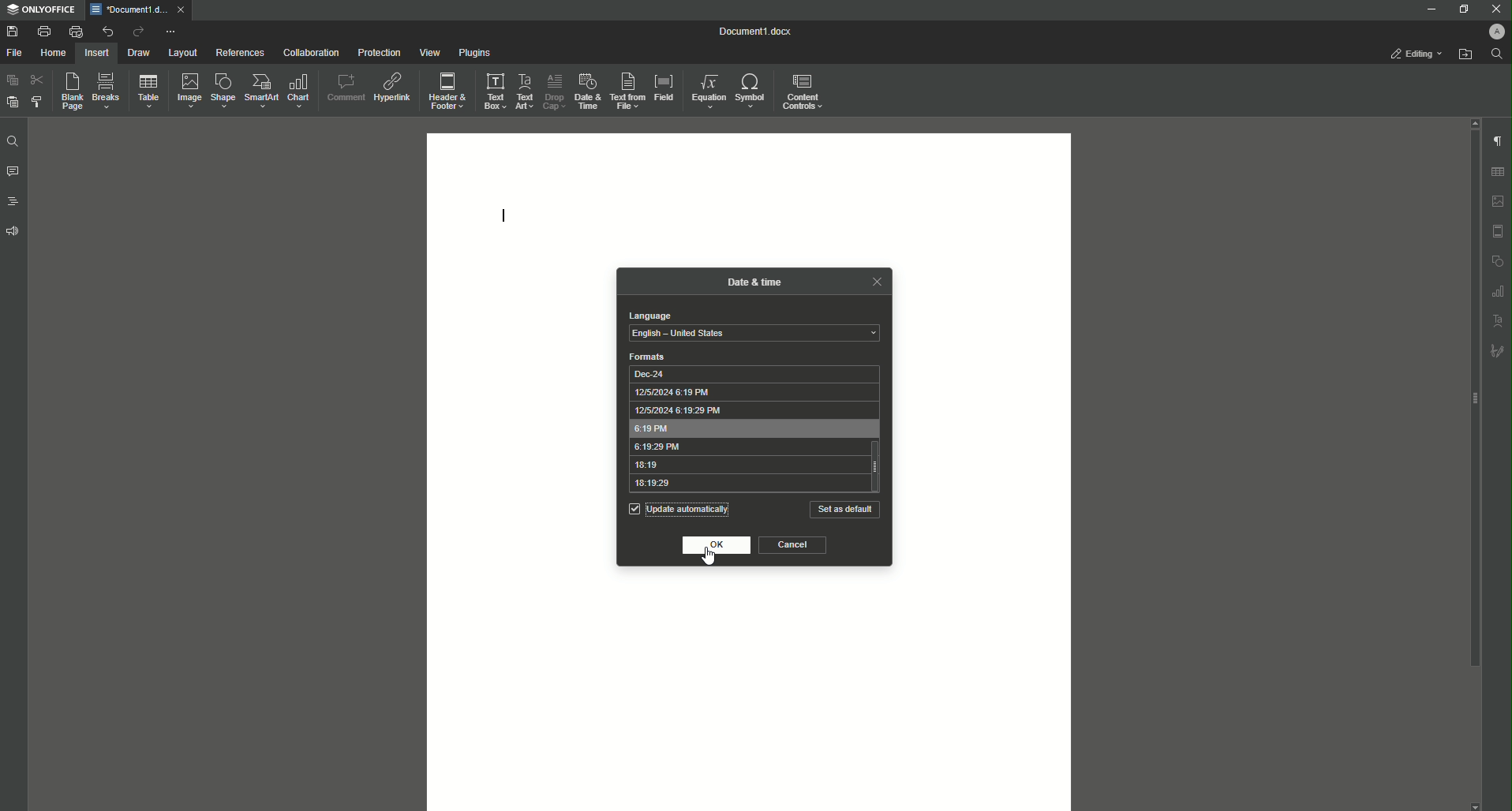 The height and width of the screenshot is (811, 1512). Describe the element at coordinates (747, 392) in the screenshot. I see `12/5/2024 6:19 PM` at that location.